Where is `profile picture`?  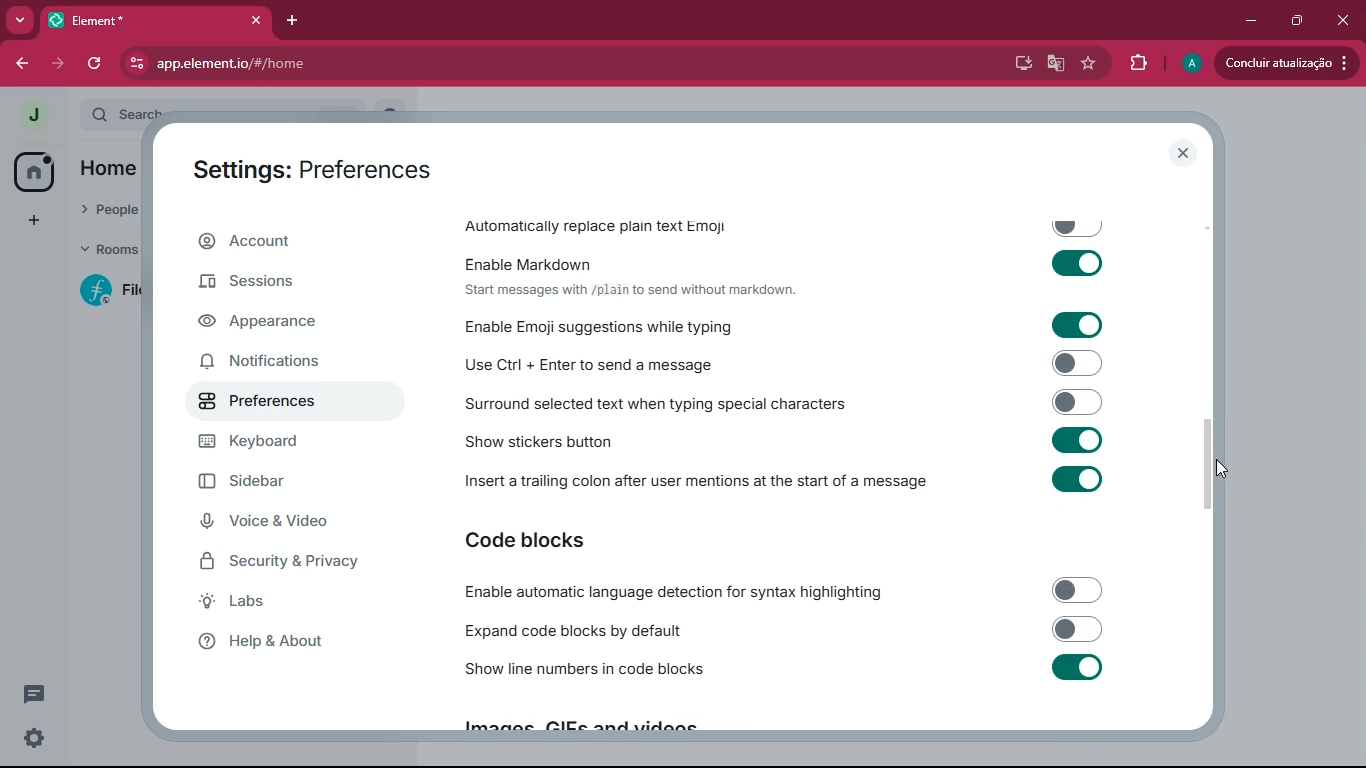 profile picture is located at coordinates (1190, 64).